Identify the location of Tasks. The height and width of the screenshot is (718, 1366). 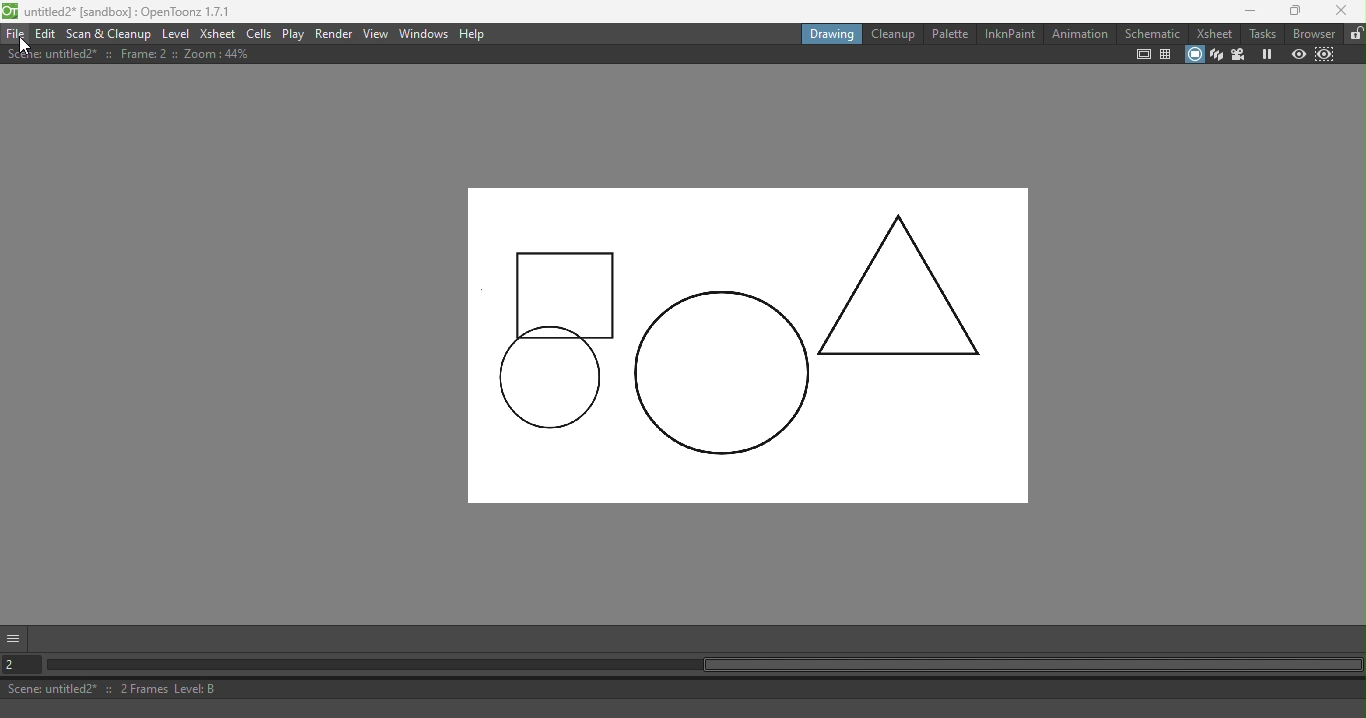
(1262, 32).